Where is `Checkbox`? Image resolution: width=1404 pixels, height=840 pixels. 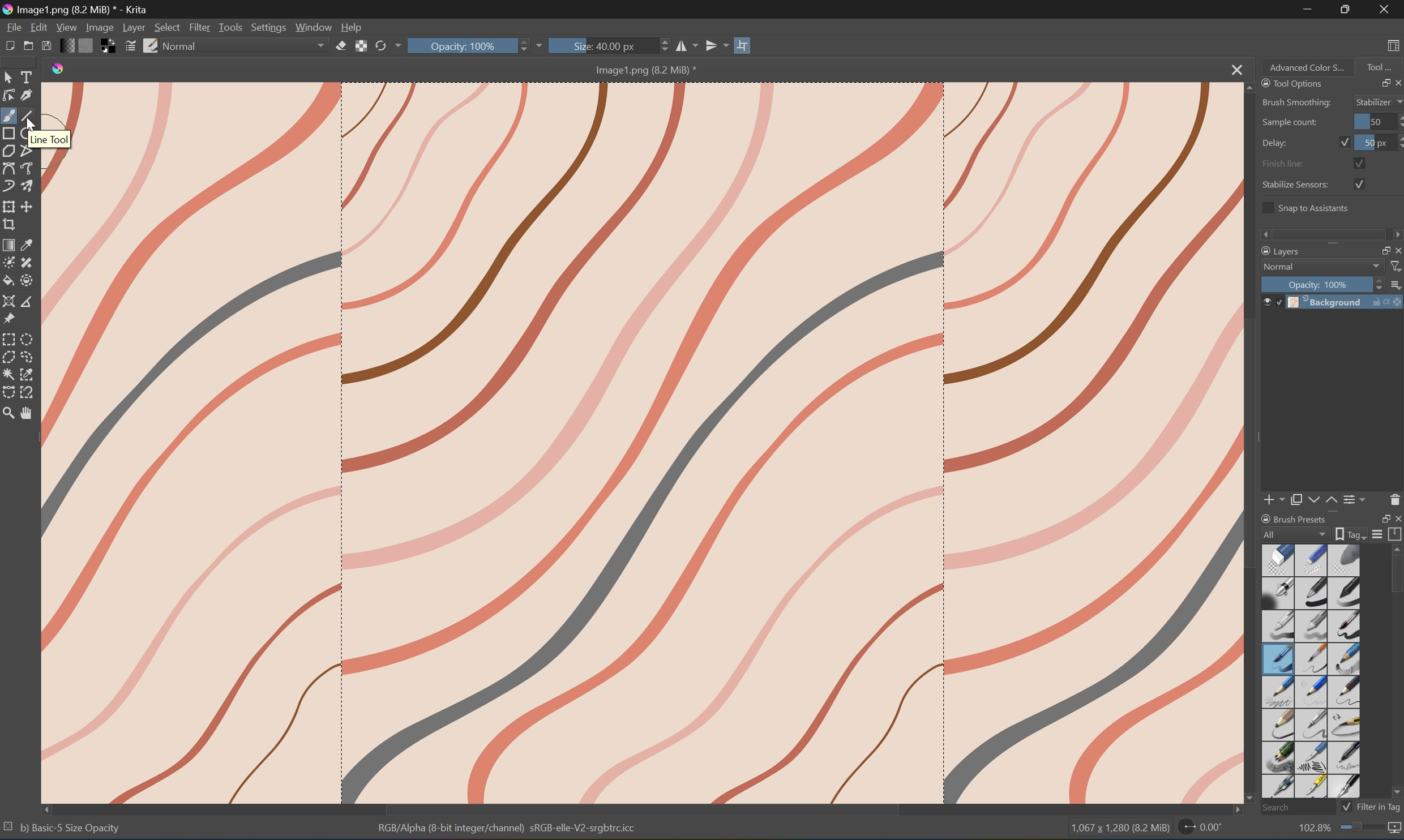
Checkbox is located at coordinates (1361, 183).